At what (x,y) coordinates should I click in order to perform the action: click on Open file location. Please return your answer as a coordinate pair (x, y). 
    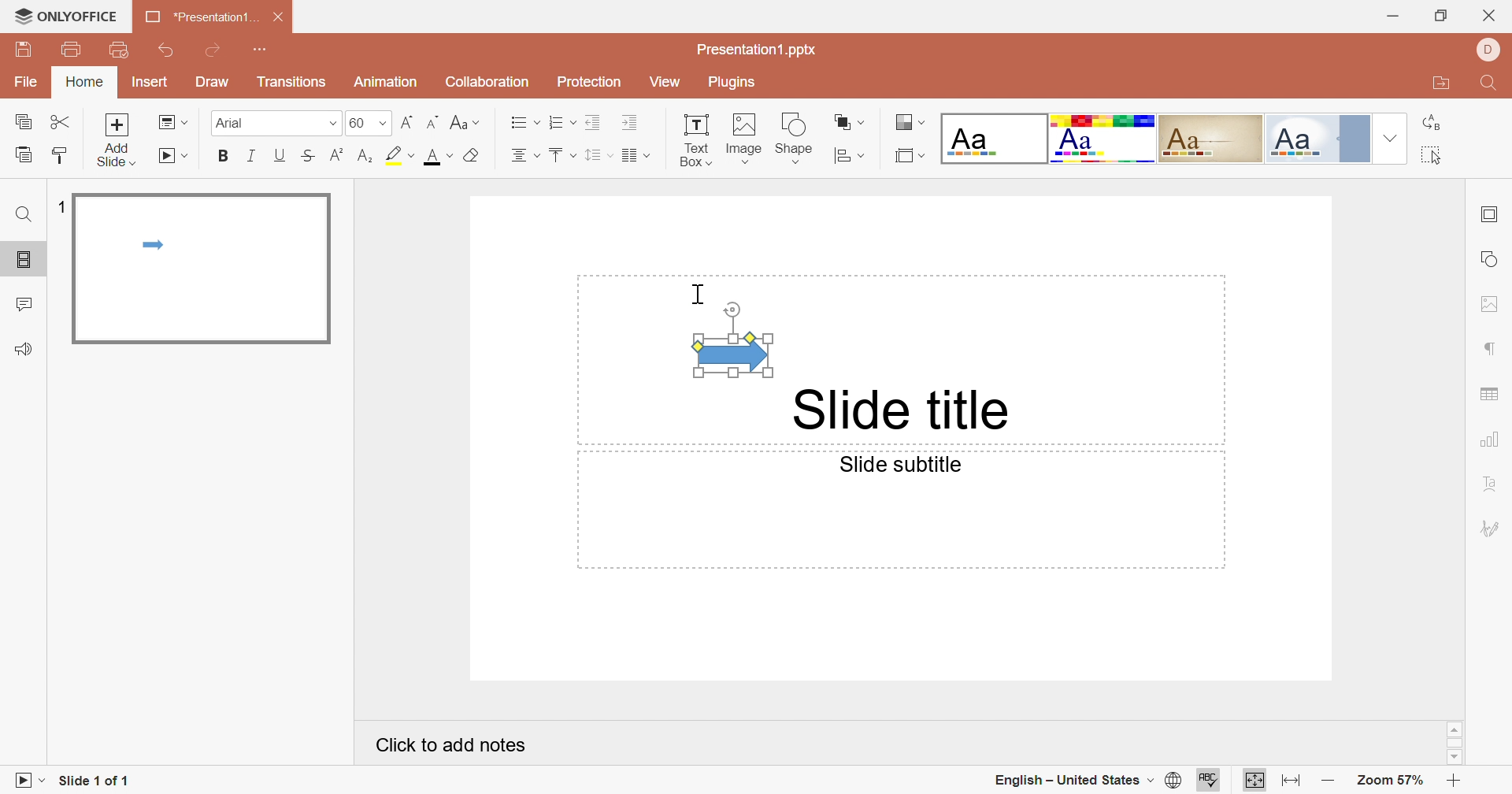
    Looking at the image, I should click on (1441, 80).